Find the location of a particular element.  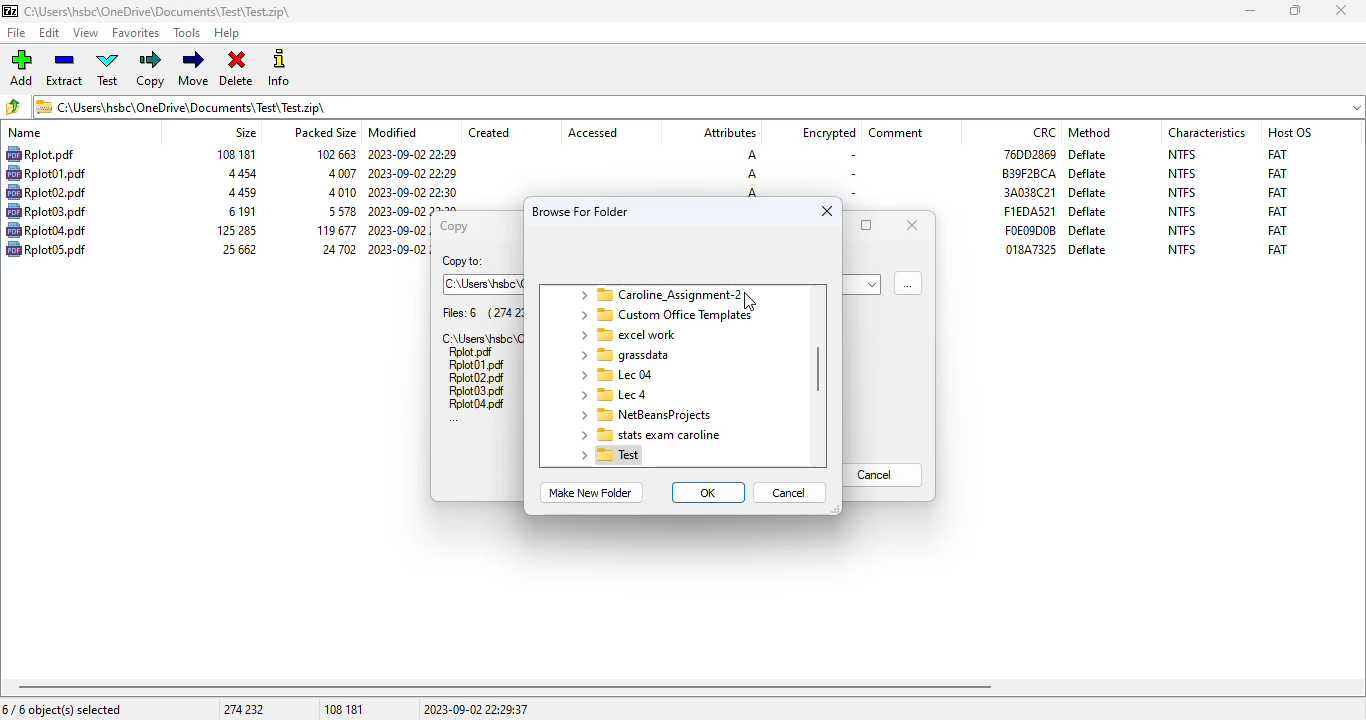

file is located at coordinates (18, 33).